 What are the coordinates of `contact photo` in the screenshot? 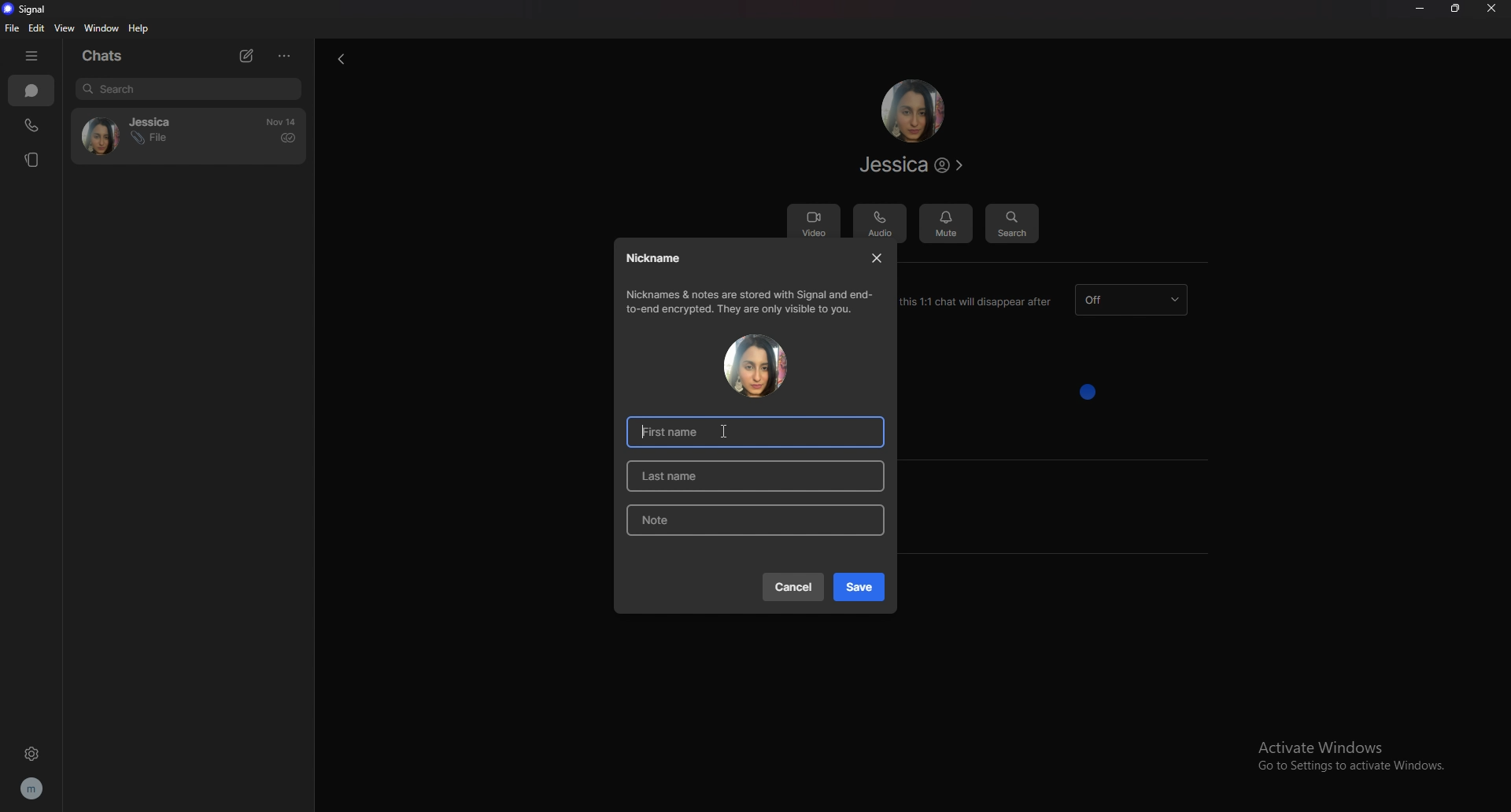 It's located at (755, 366).